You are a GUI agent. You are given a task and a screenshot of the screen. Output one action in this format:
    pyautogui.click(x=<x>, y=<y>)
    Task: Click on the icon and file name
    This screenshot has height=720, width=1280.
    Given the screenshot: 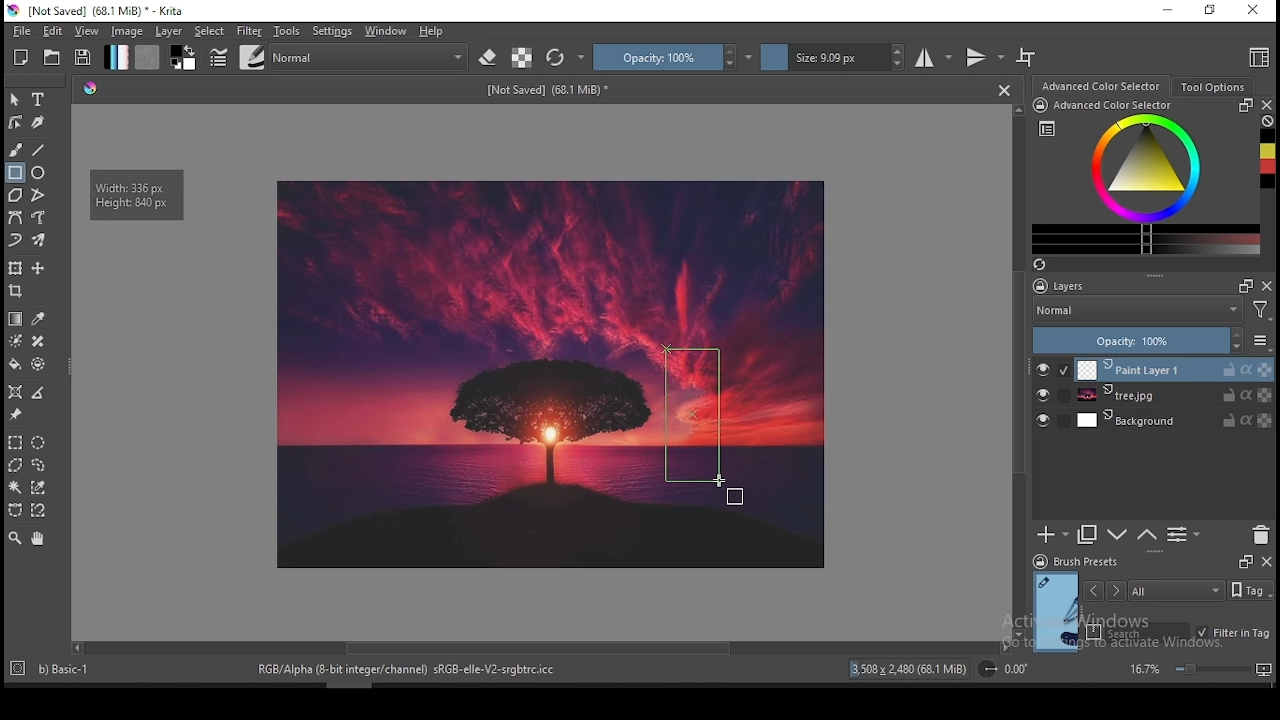 What is the action you would take?
    pyautogui.click(x=98, y=11)
    